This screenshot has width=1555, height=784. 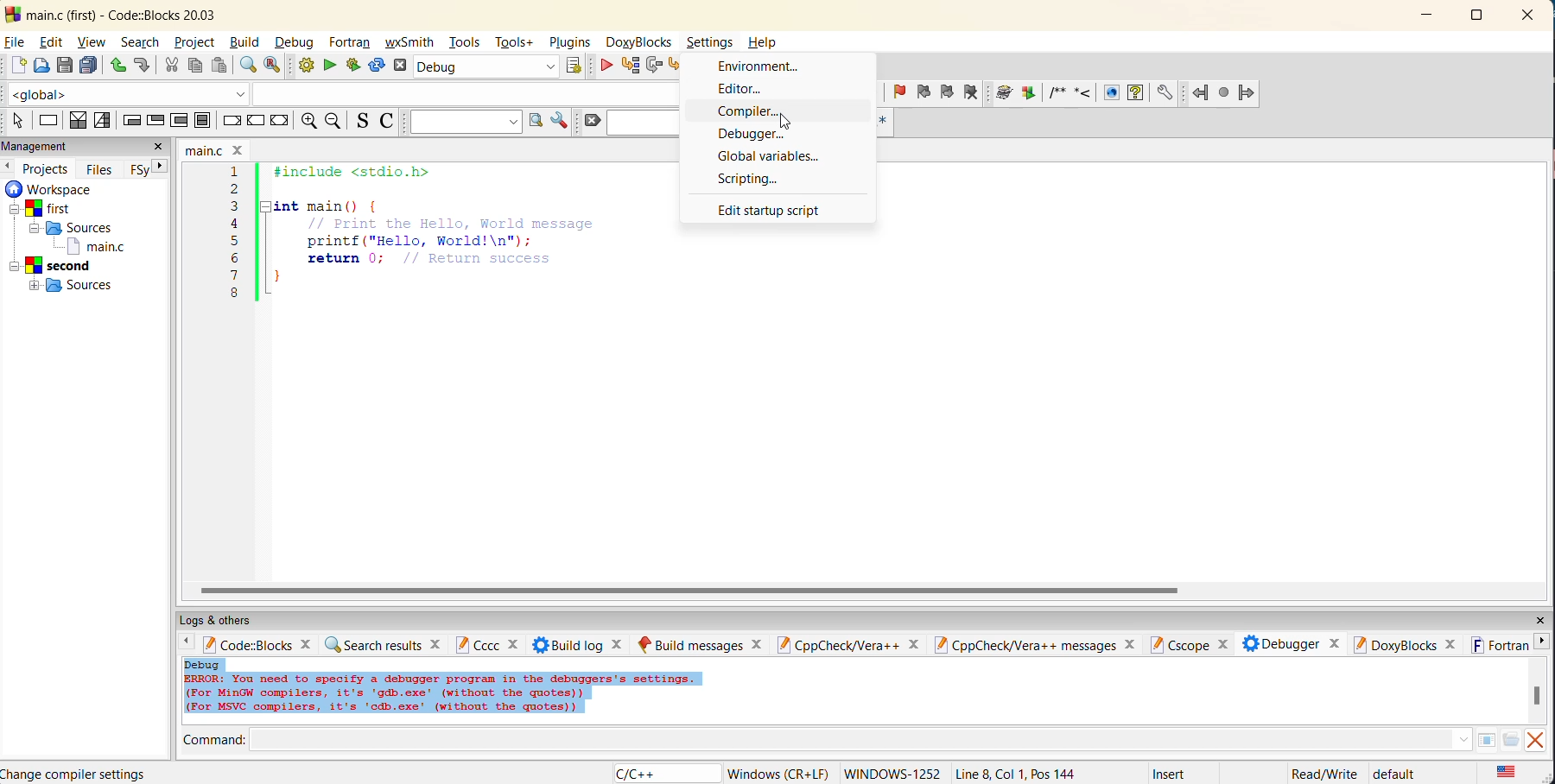 I want to click on continue instruction, so click(x=254, y=121).